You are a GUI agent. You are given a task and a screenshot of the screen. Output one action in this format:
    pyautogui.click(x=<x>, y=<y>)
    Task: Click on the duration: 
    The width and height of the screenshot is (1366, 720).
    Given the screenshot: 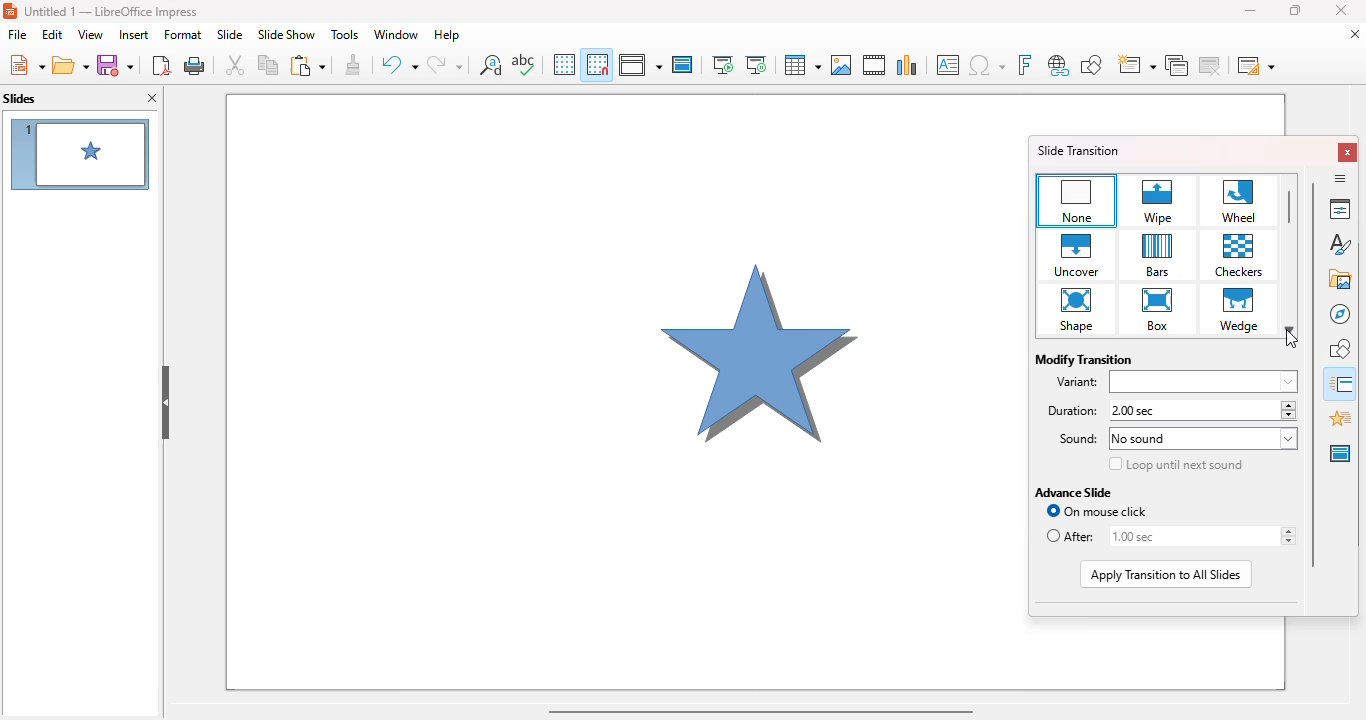 What is the action you would take?
    pyautogui.click(x=1194, y=411)
    